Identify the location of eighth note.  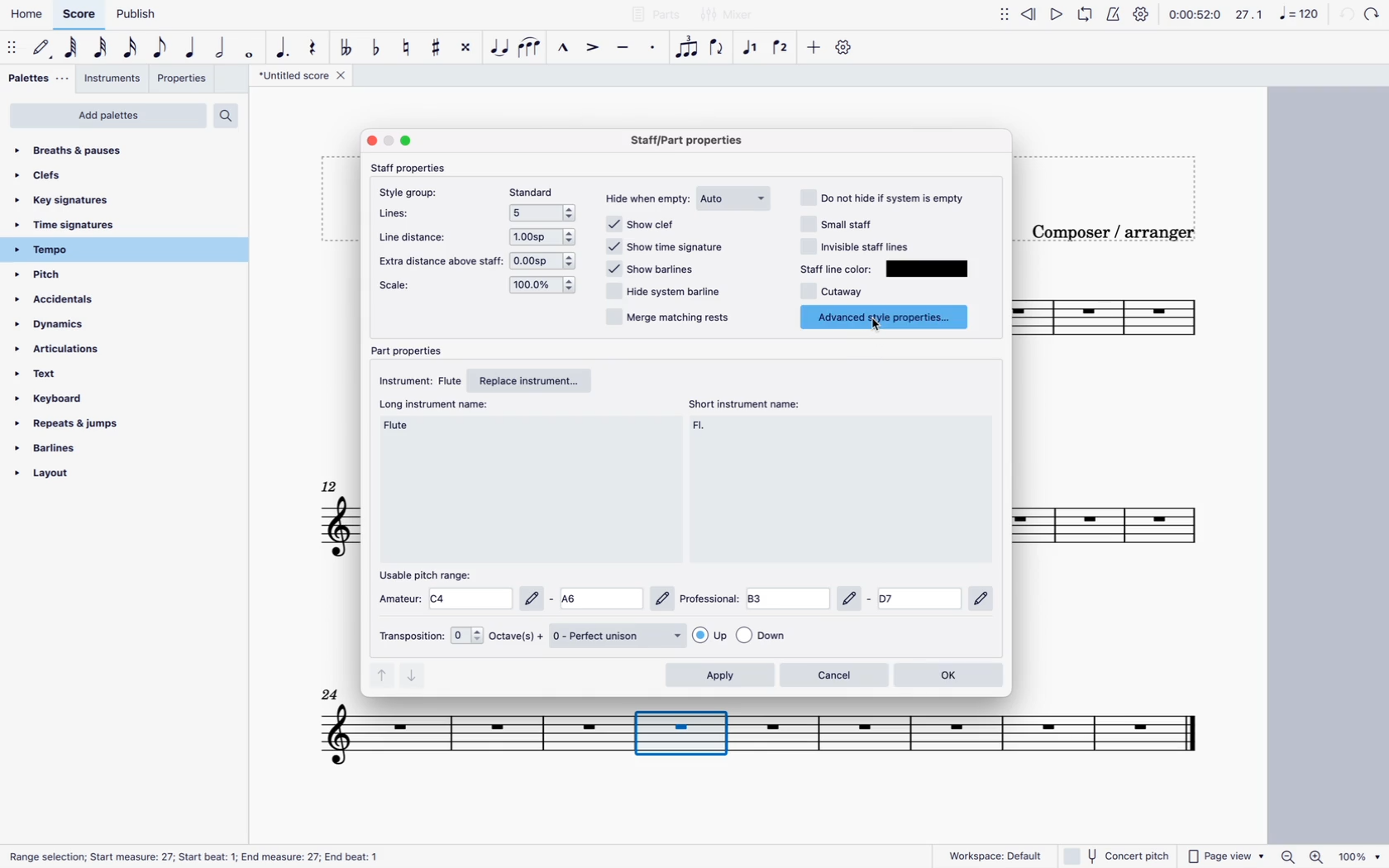
(161, 48).